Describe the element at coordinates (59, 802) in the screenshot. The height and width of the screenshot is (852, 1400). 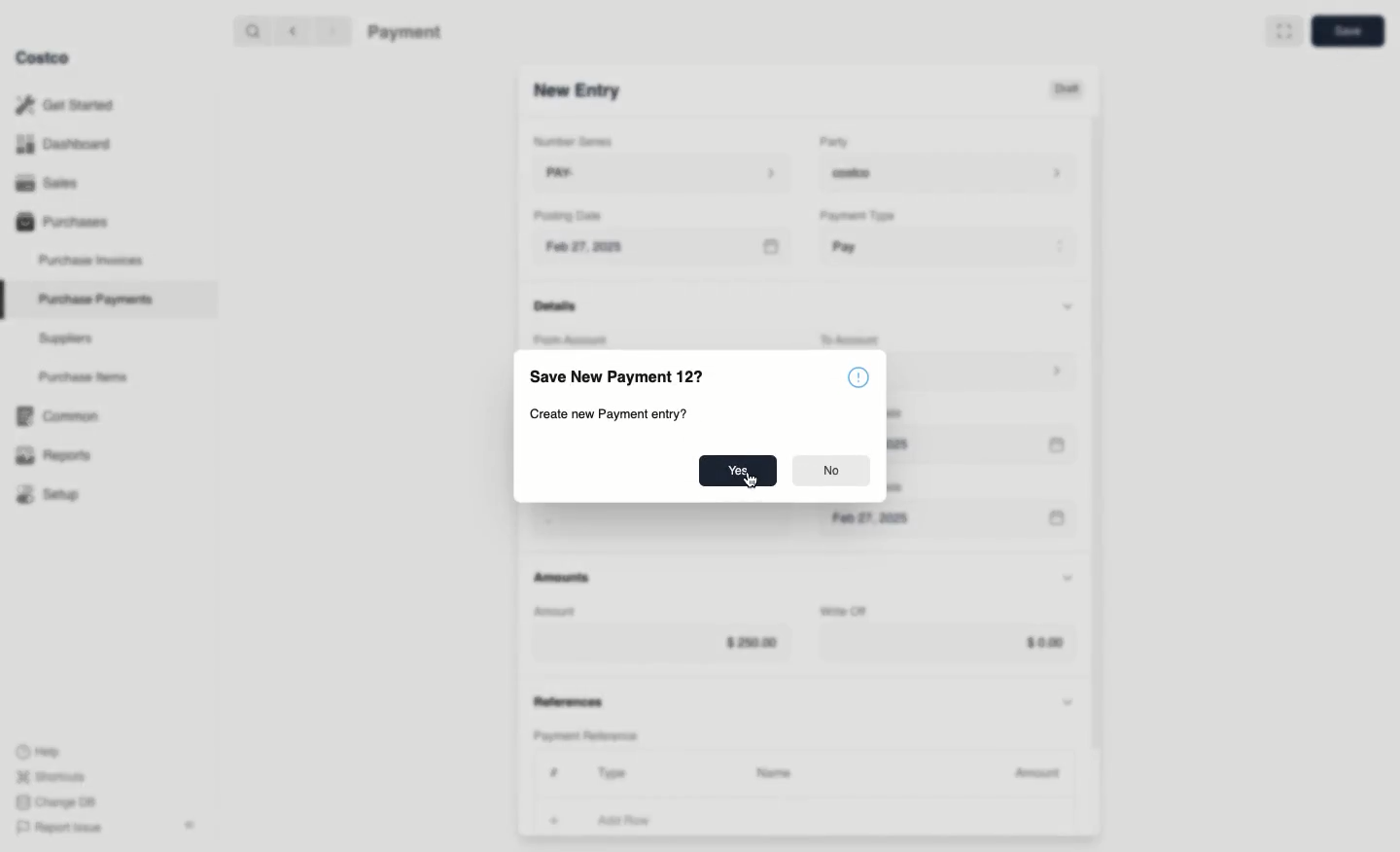
I see `Change DB` at that location.